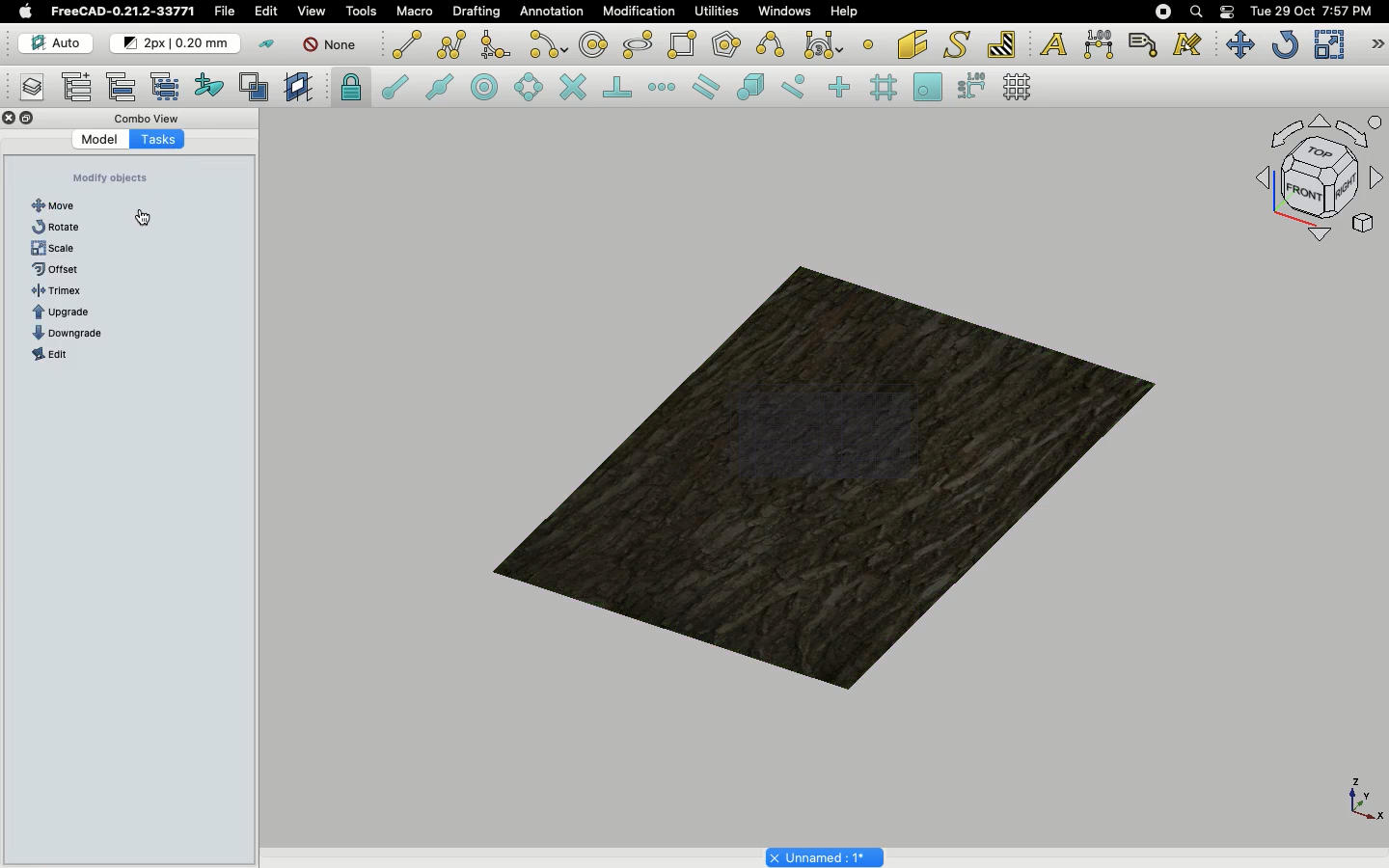 The height and width of the screenshot is (868, 1389). What do you see at coordinates (177, 44) in the screenshot?
I see `Change default for new objects` at bounding box center [177, 44].